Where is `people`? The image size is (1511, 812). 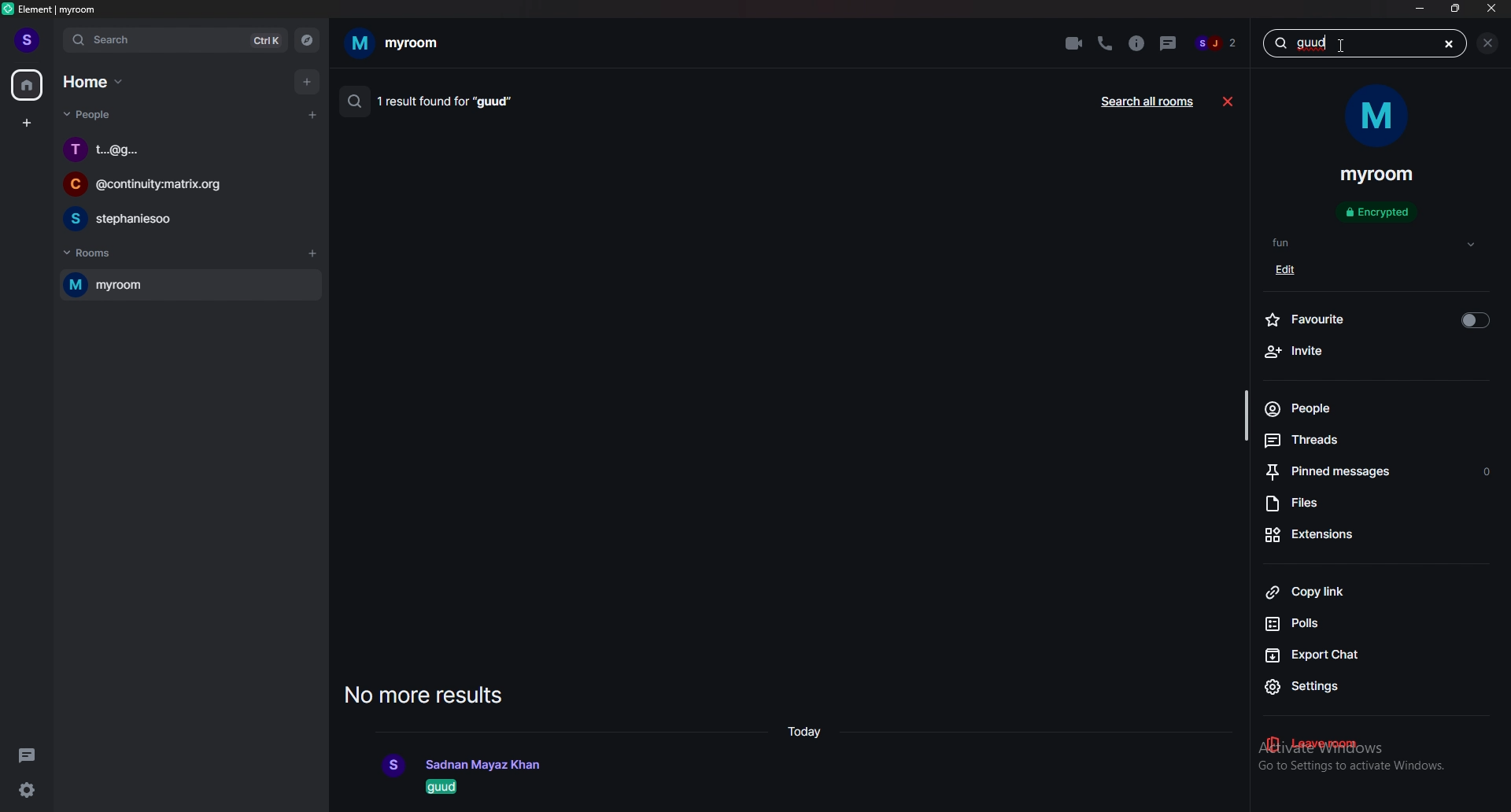 people is located at coordinates (1343, 409).